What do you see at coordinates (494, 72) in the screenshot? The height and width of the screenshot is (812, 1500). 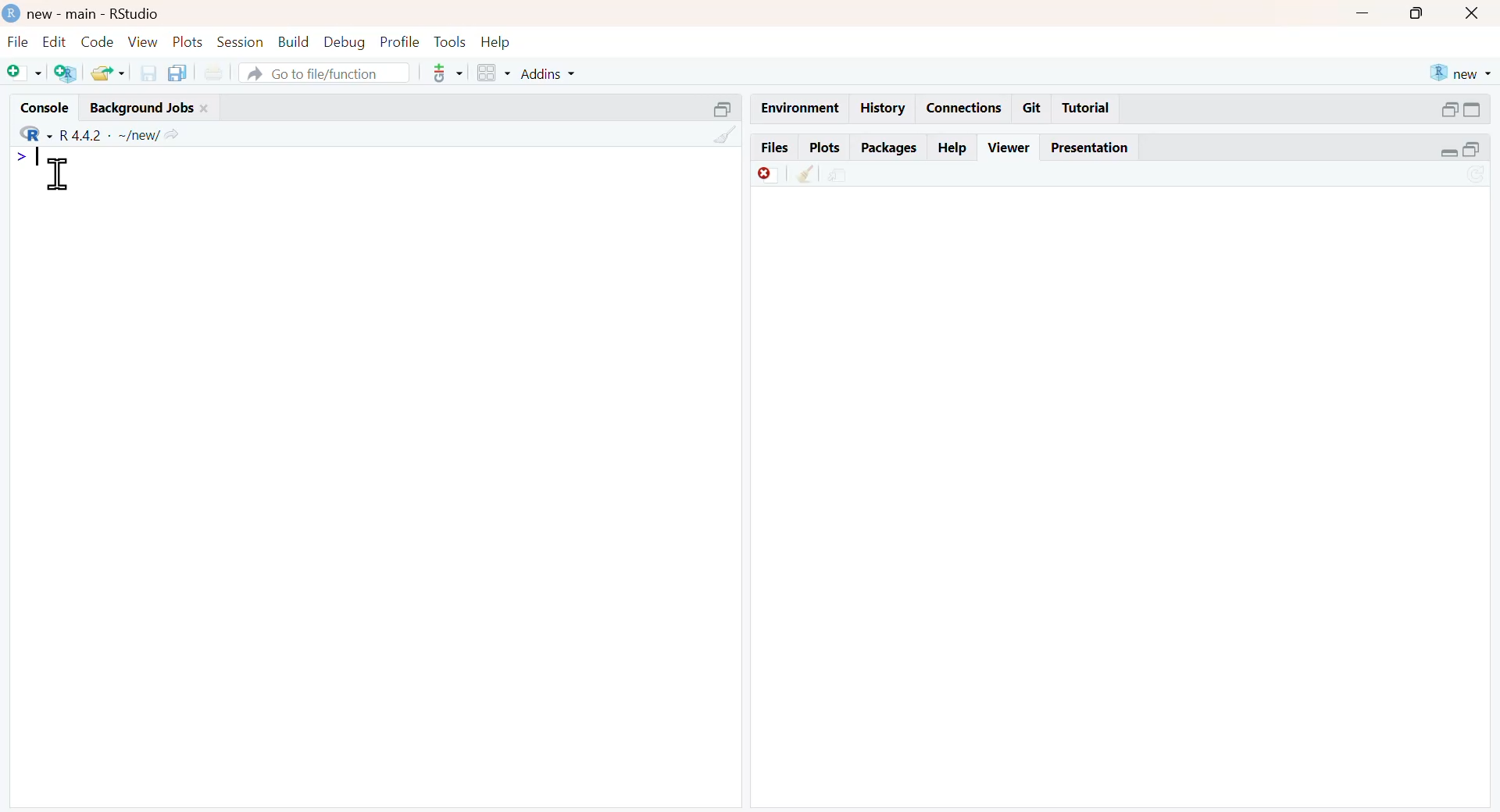 I see `grid` at bounding box center [494, 72].